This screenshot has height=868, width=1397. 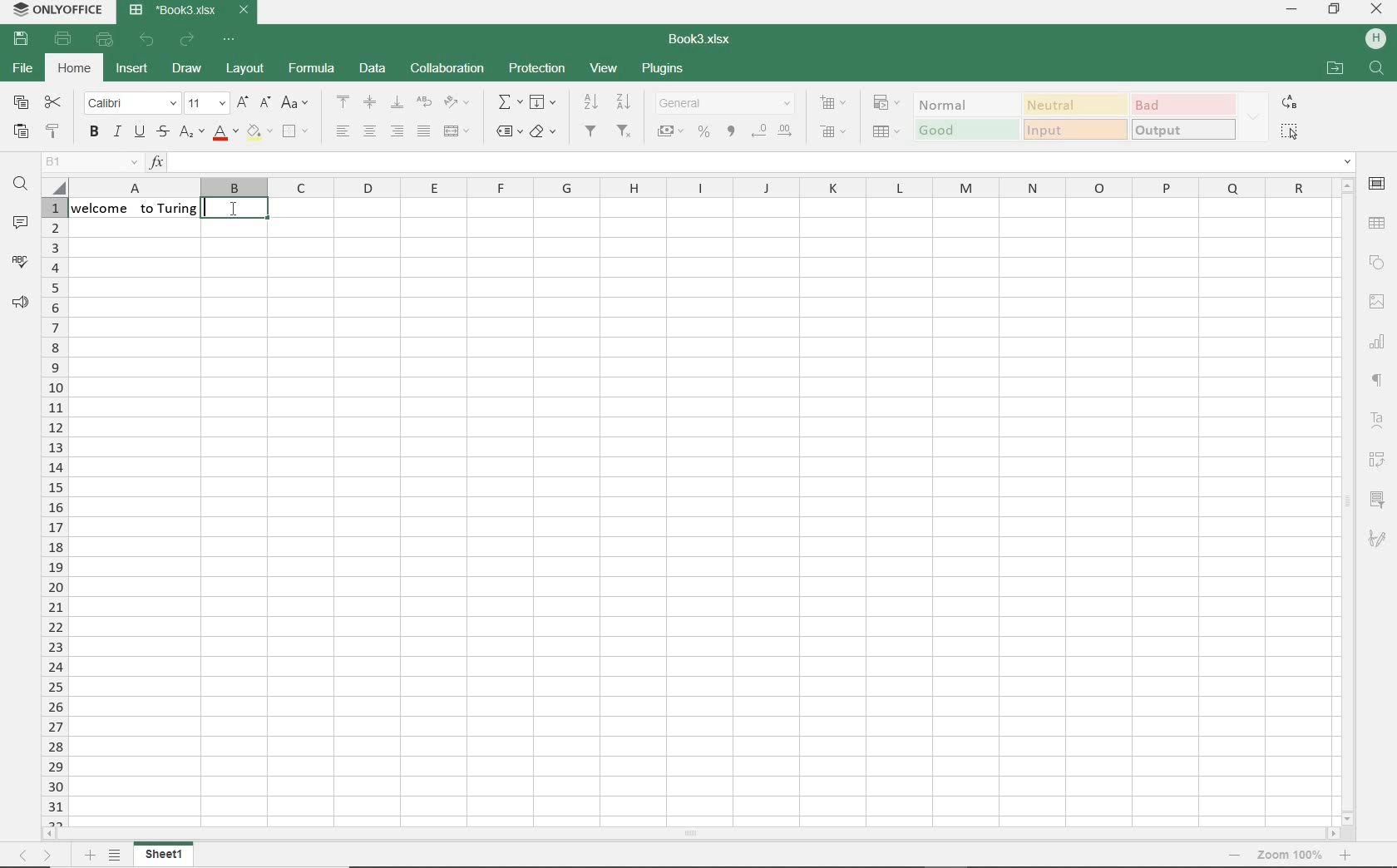 What do you see at coordinates (295, 132) in the screenshot?
I see `borders` at bounding box center [295, 132].